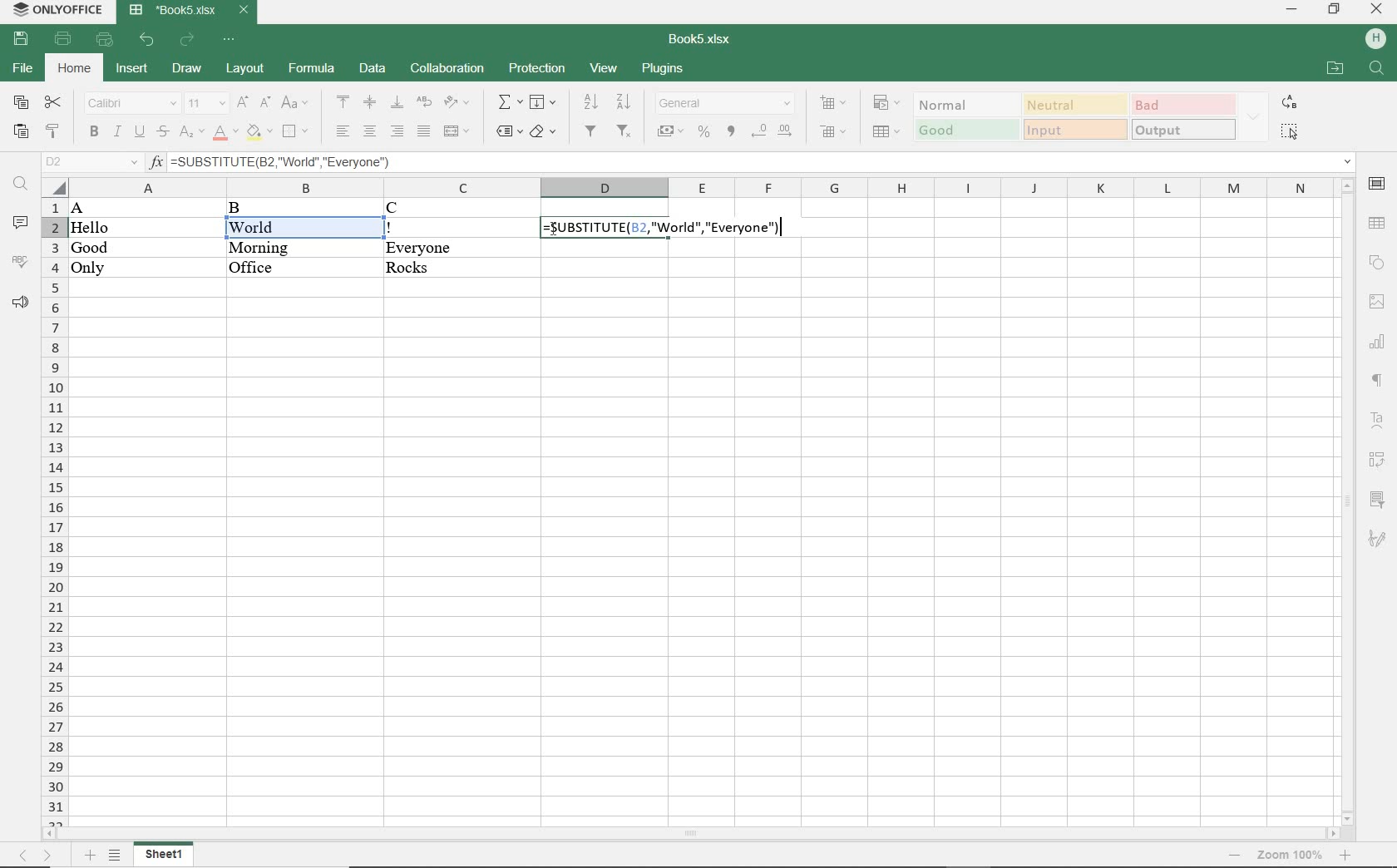 The height and width of the screenshot is (868, 1397). Describe the element at coordinates (73, 67) in the screenshot. I see `home` at that location.